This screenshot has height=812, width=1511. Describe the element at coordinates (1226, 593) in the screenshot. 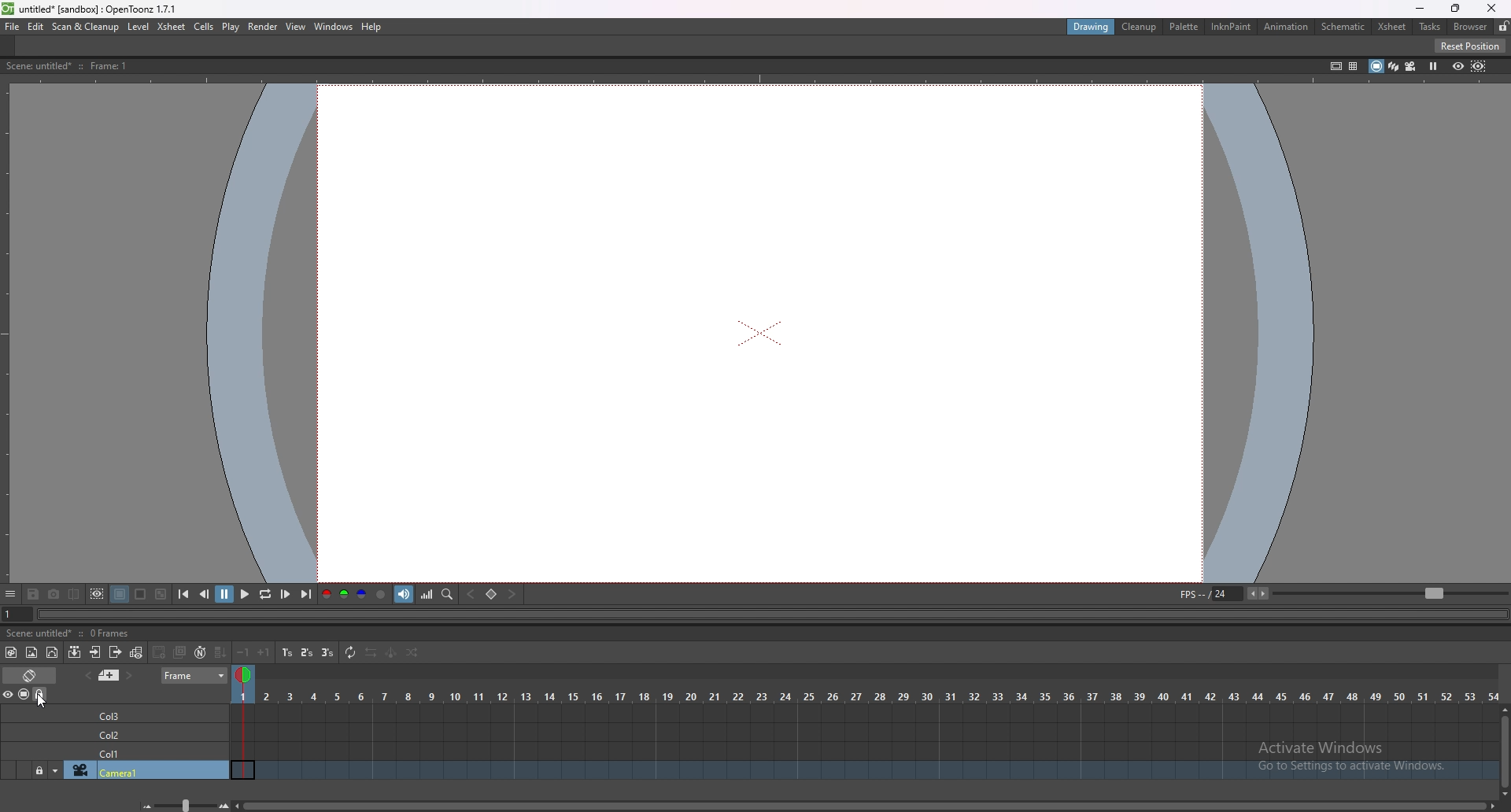

I see `fps` at that location.